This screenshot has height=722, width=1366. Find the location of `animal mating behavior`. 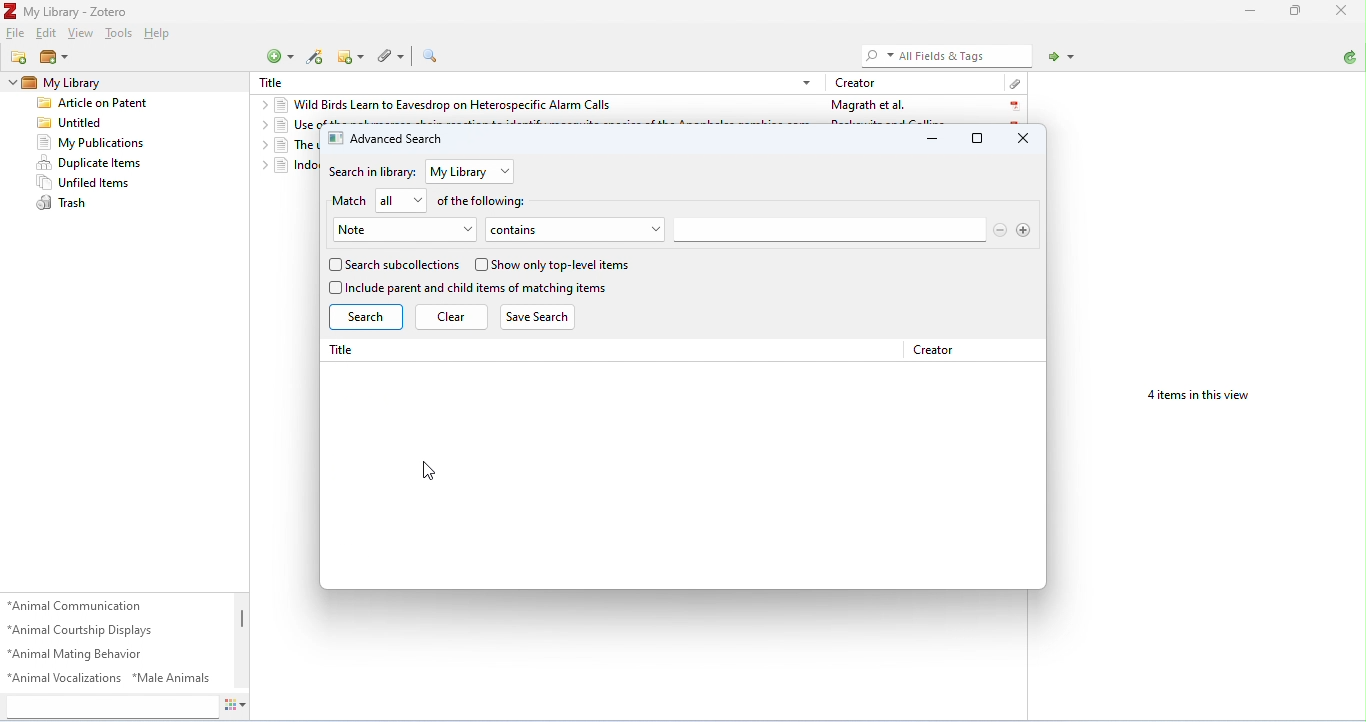

animal mating behavior is located at coordinates (77, 654).